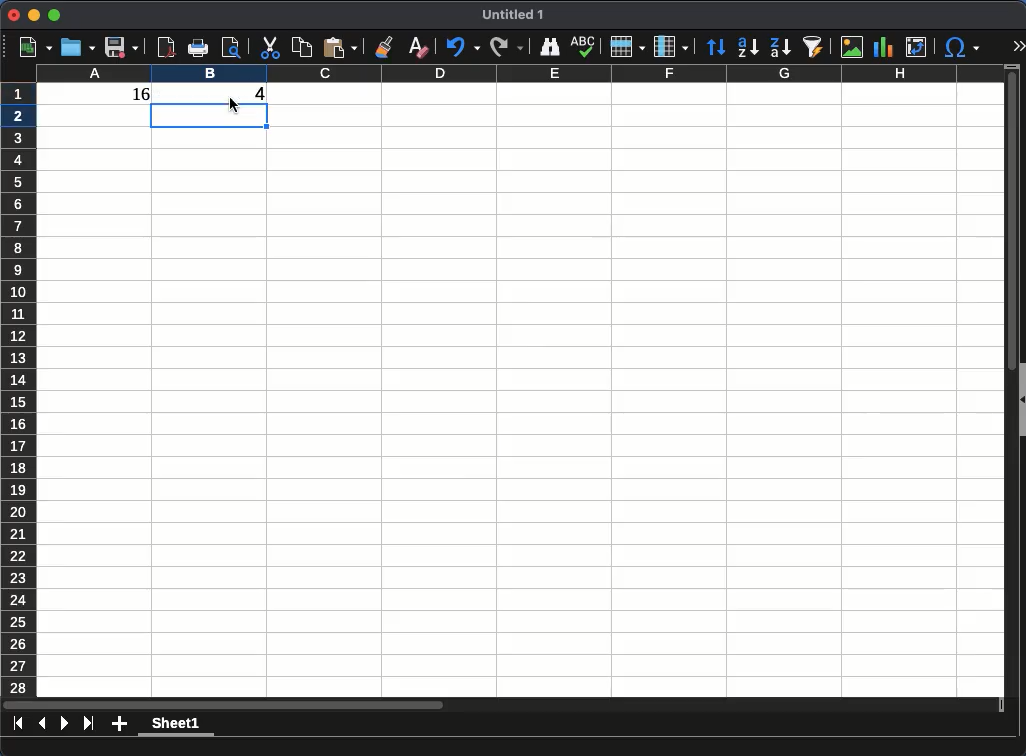  I want to click on add sheet, so click(119, 725).